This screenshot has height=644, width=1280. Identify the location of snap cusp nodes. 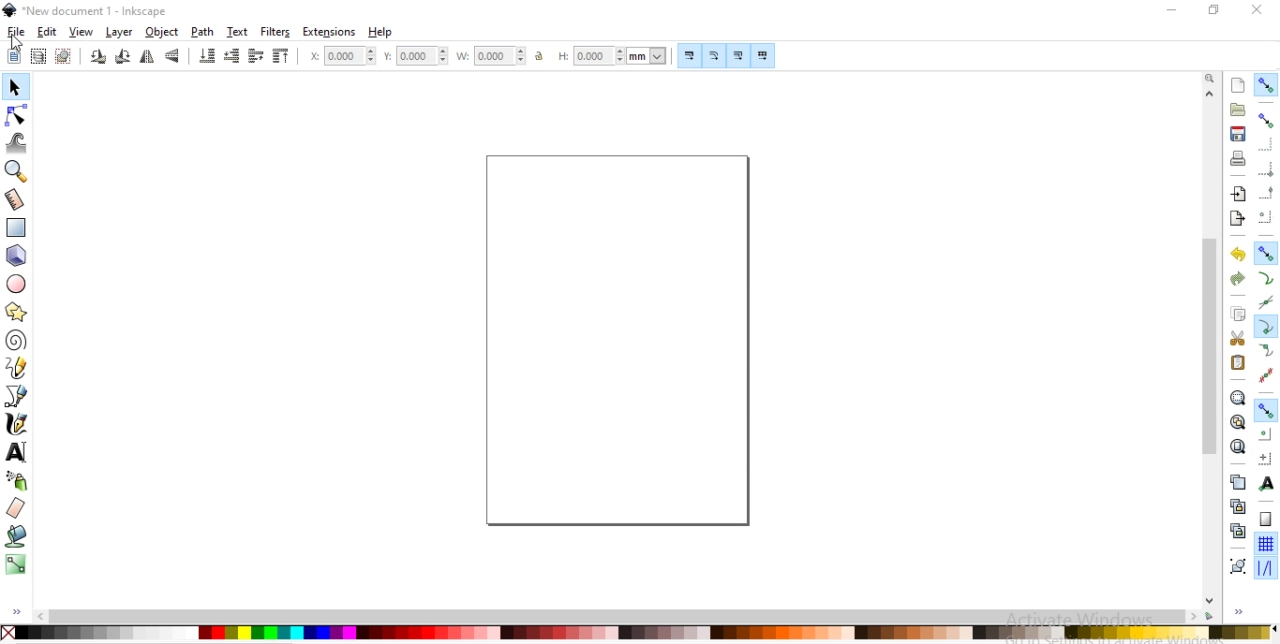
(1265, 328).